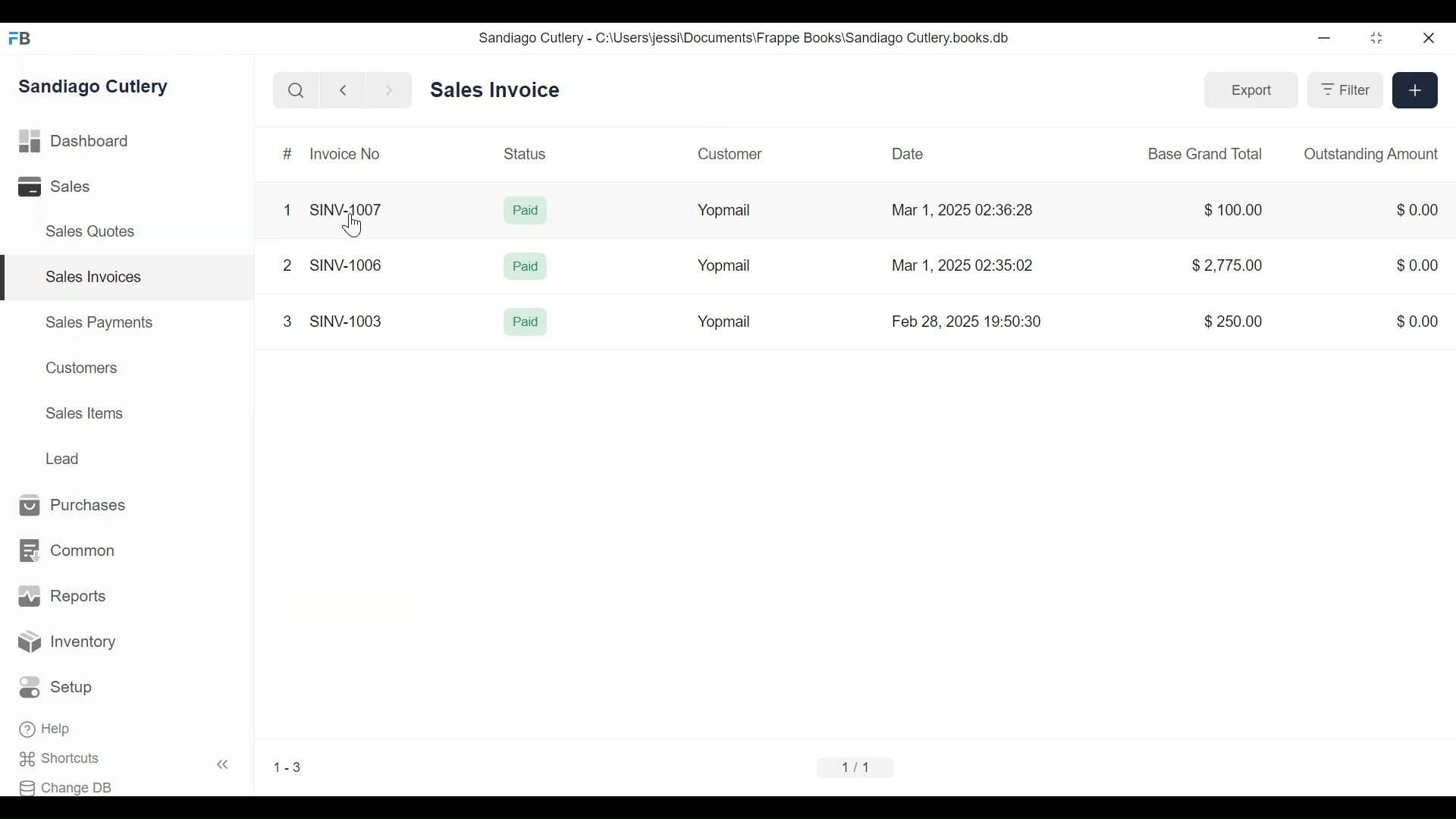  Describe the element at coordinates (23, 39) in the screenshot. I see `FB` at that location.